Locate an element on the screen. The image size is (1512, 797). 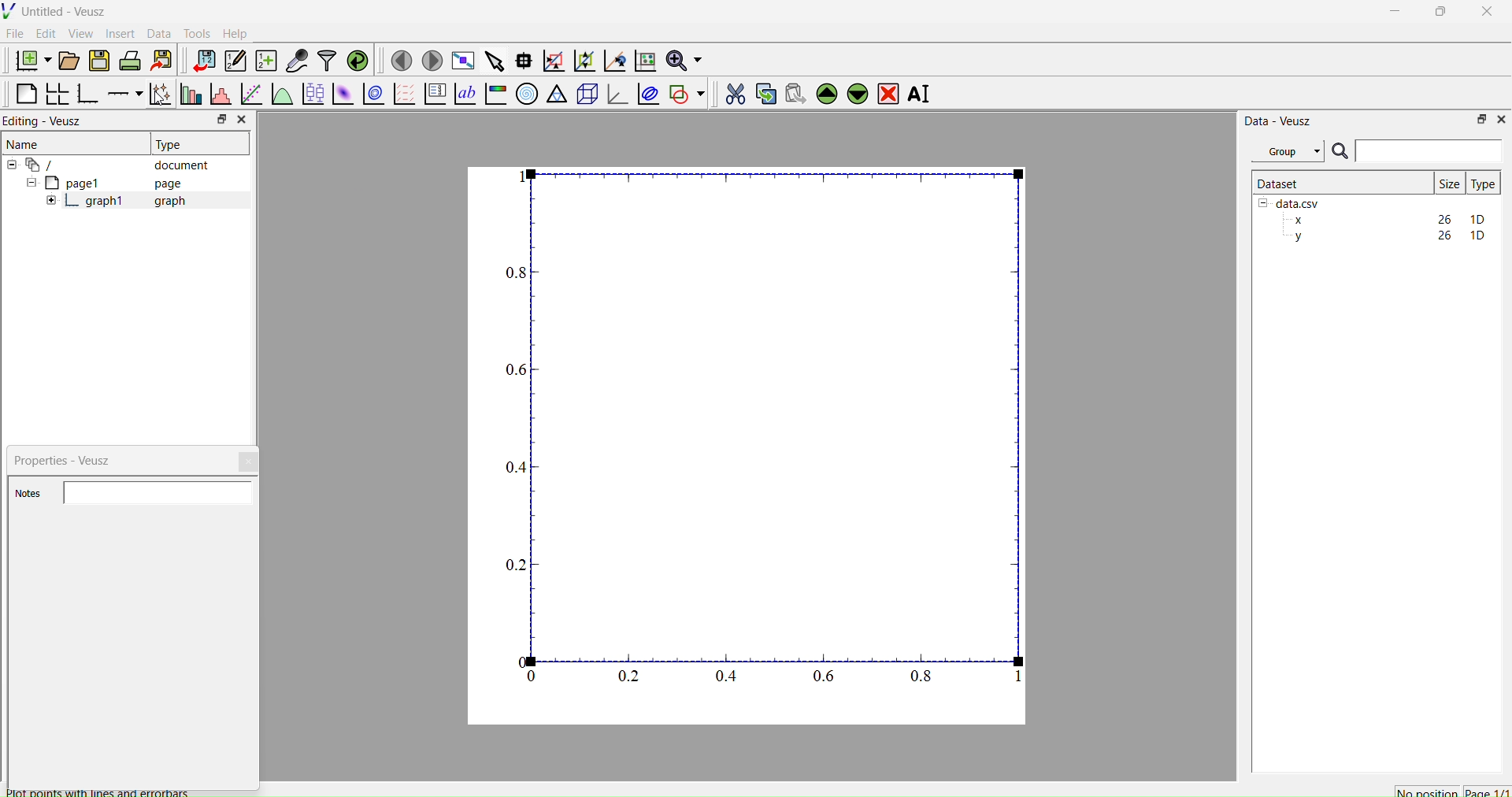
Name is located at coordinates (24, 143).